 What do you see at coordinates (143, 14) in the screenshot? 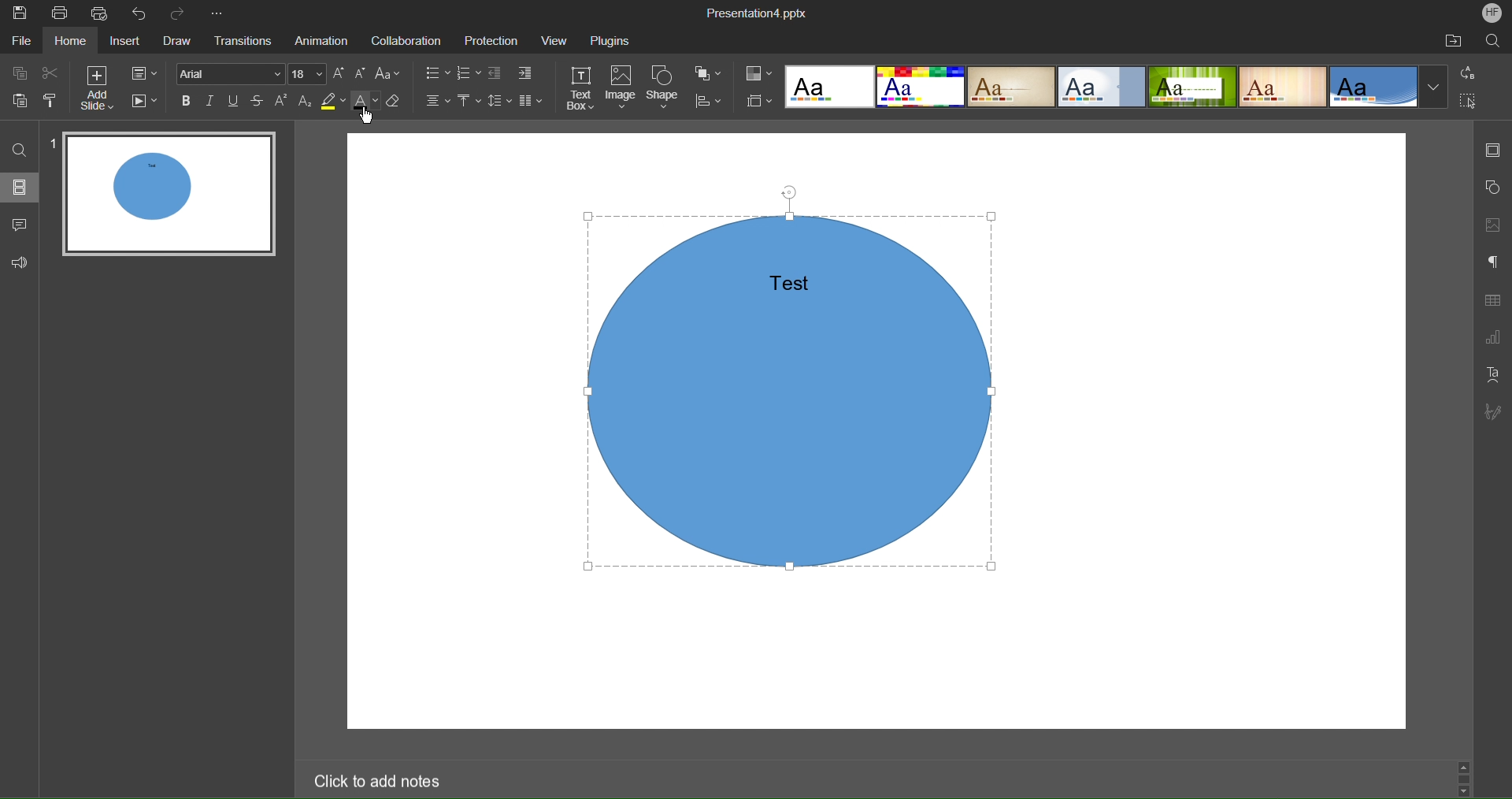
I see `Undo` at bounding box center [143, 14].